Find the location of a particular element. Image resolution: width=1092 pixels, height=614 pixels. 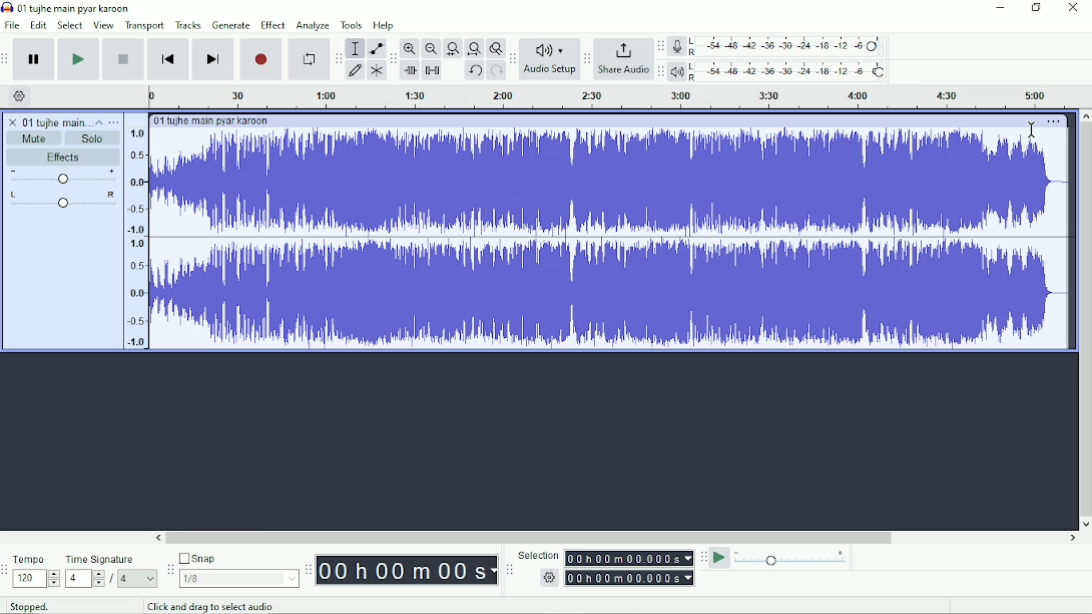

4 is located at coordinates (140, 578).